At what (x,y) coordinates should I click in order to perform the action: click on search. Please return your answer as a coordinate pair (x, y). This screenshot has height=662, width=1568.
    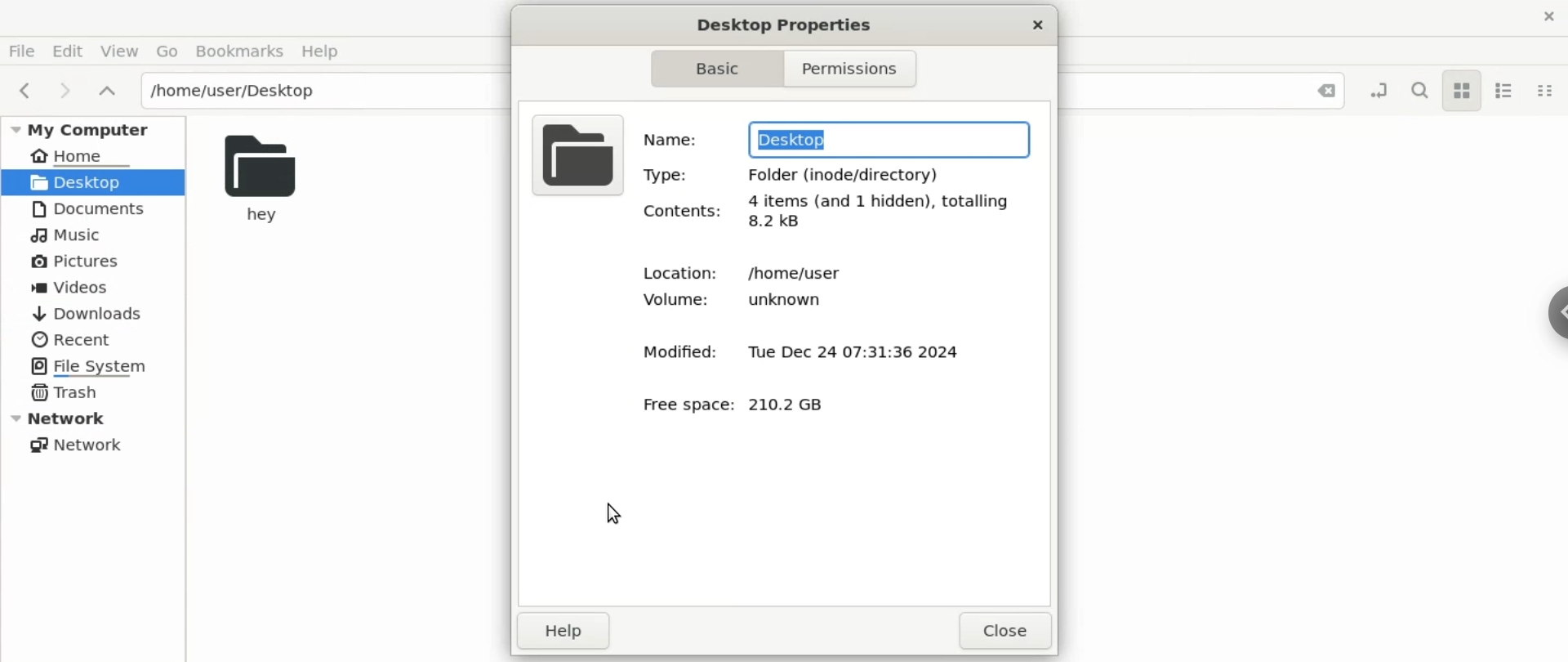
    Looking at the image, I should click on (1418, 92).